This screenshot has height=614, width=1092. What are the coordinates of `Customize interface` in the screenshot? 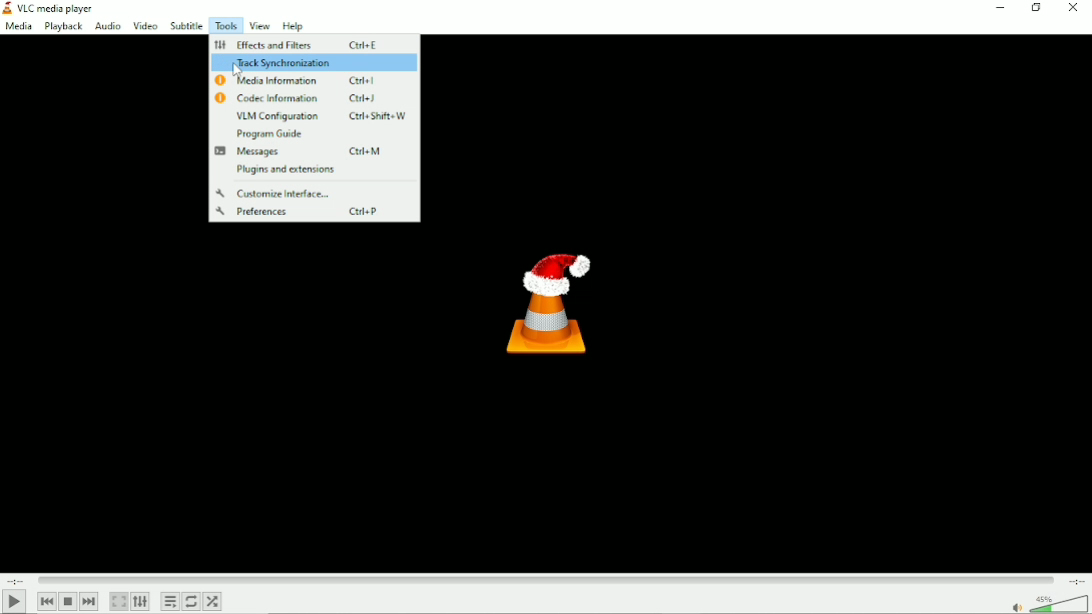 It's located at (275, 194).